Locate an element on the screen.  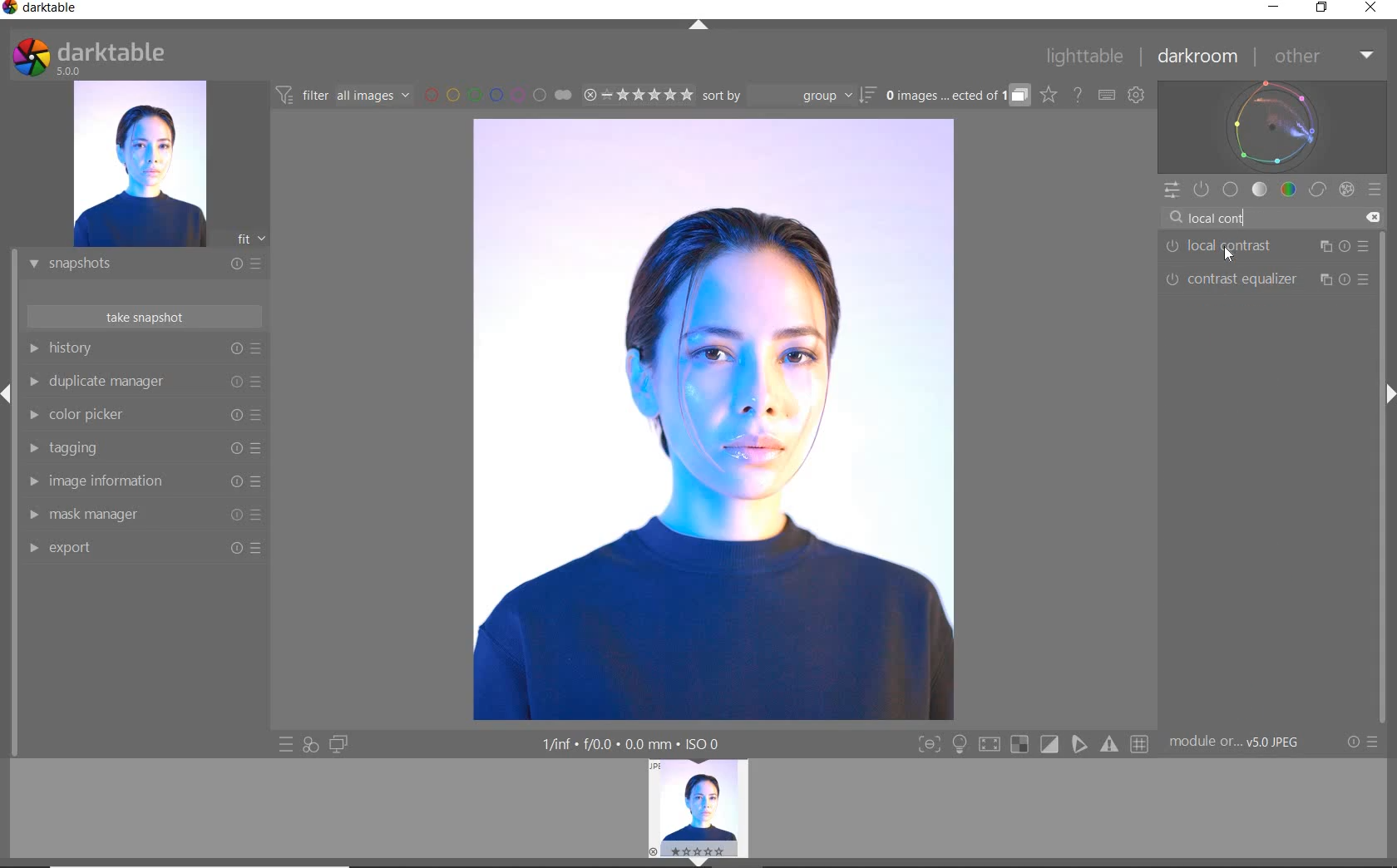
Search is located at coordinates (1176, 218).